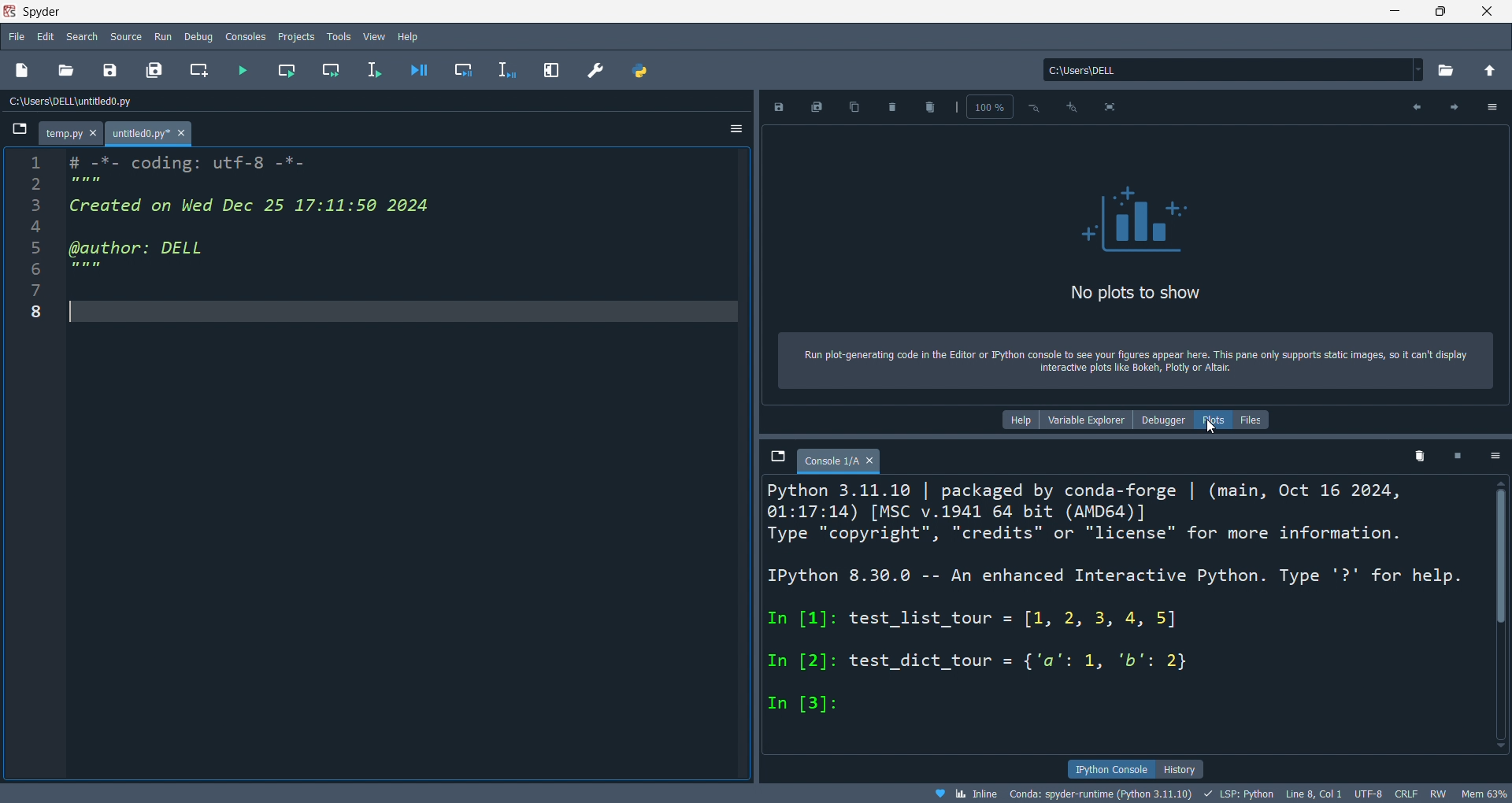  I want to click on file, so click(17, 39).